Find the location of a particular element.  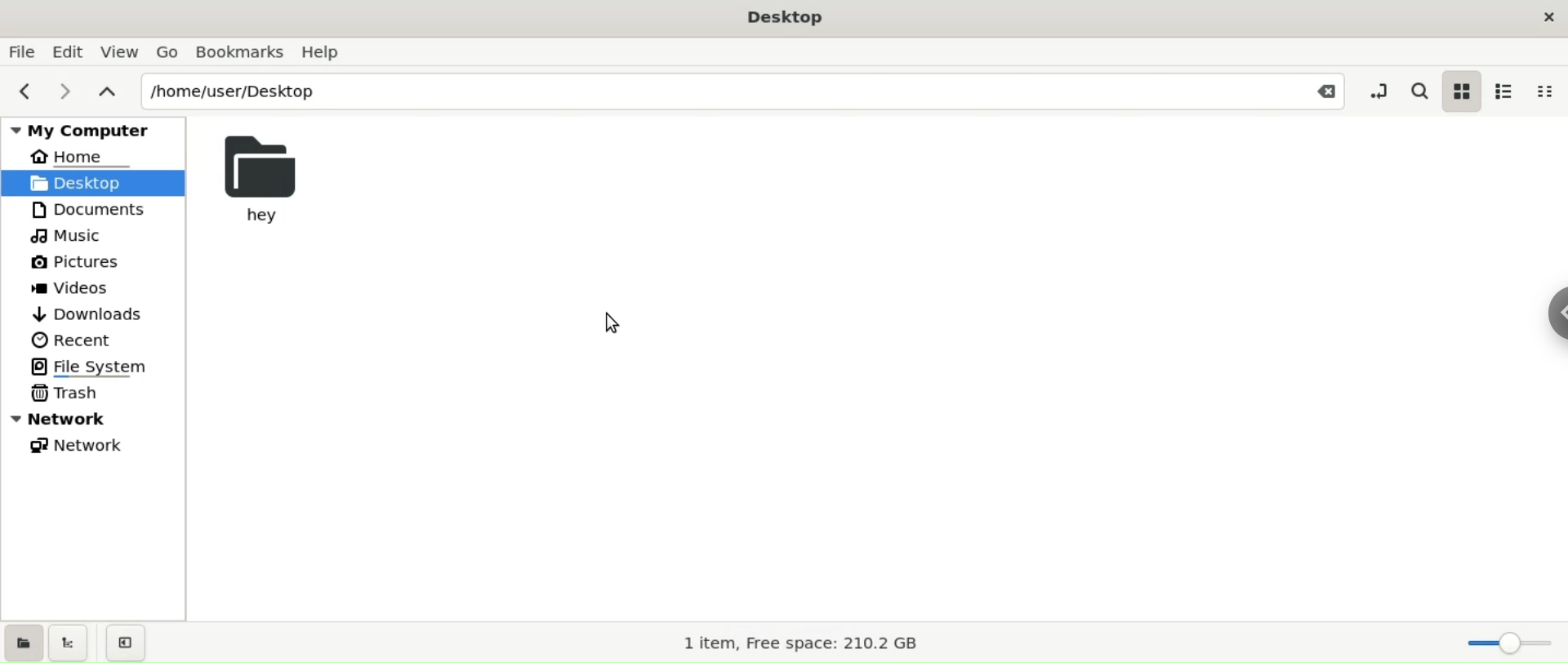

path location input box is located at coordinates (746, 91).